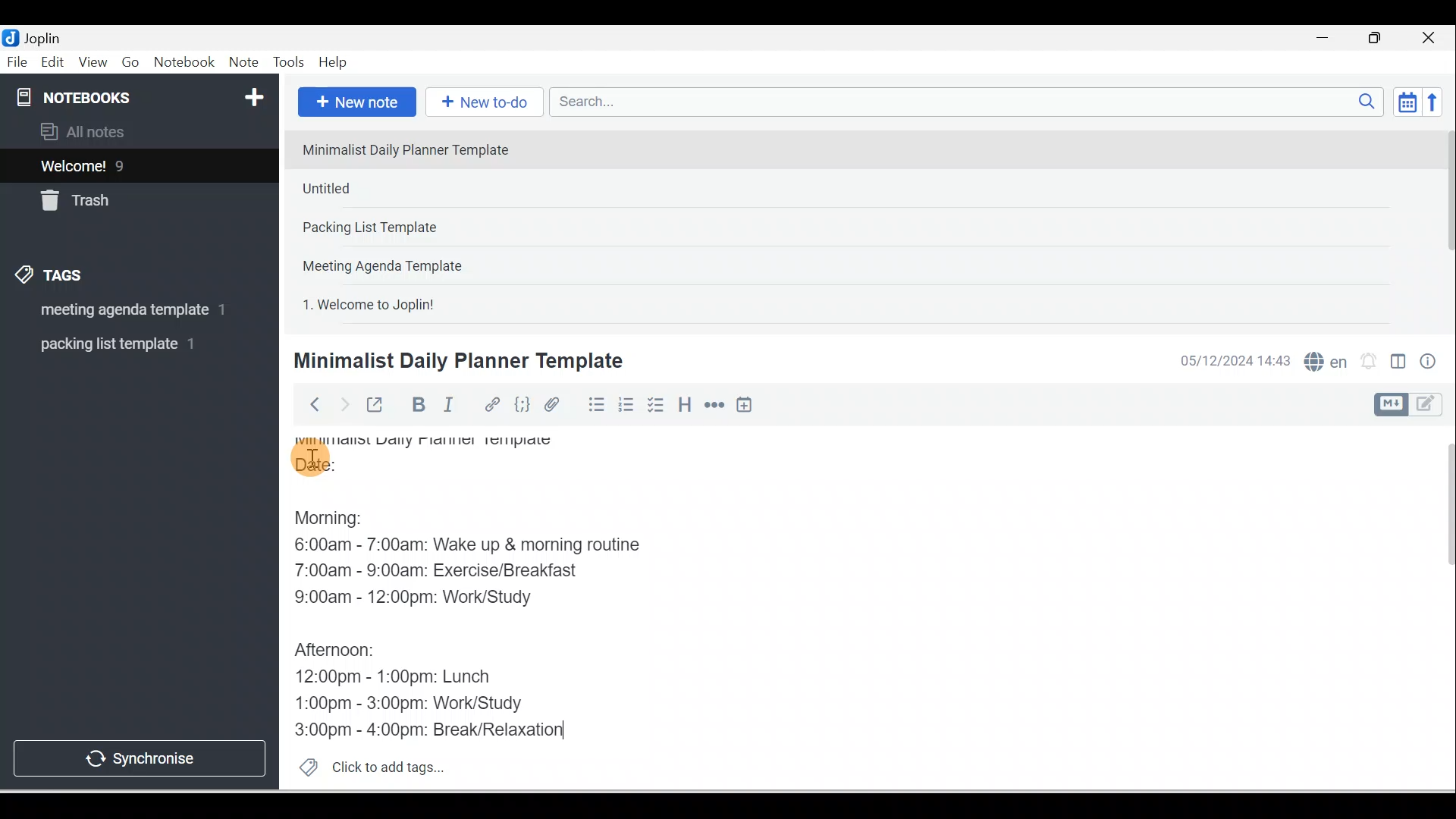  Describe the element at coordinates (128, 344) in the screenshot. I see `Tag 2` at that location.